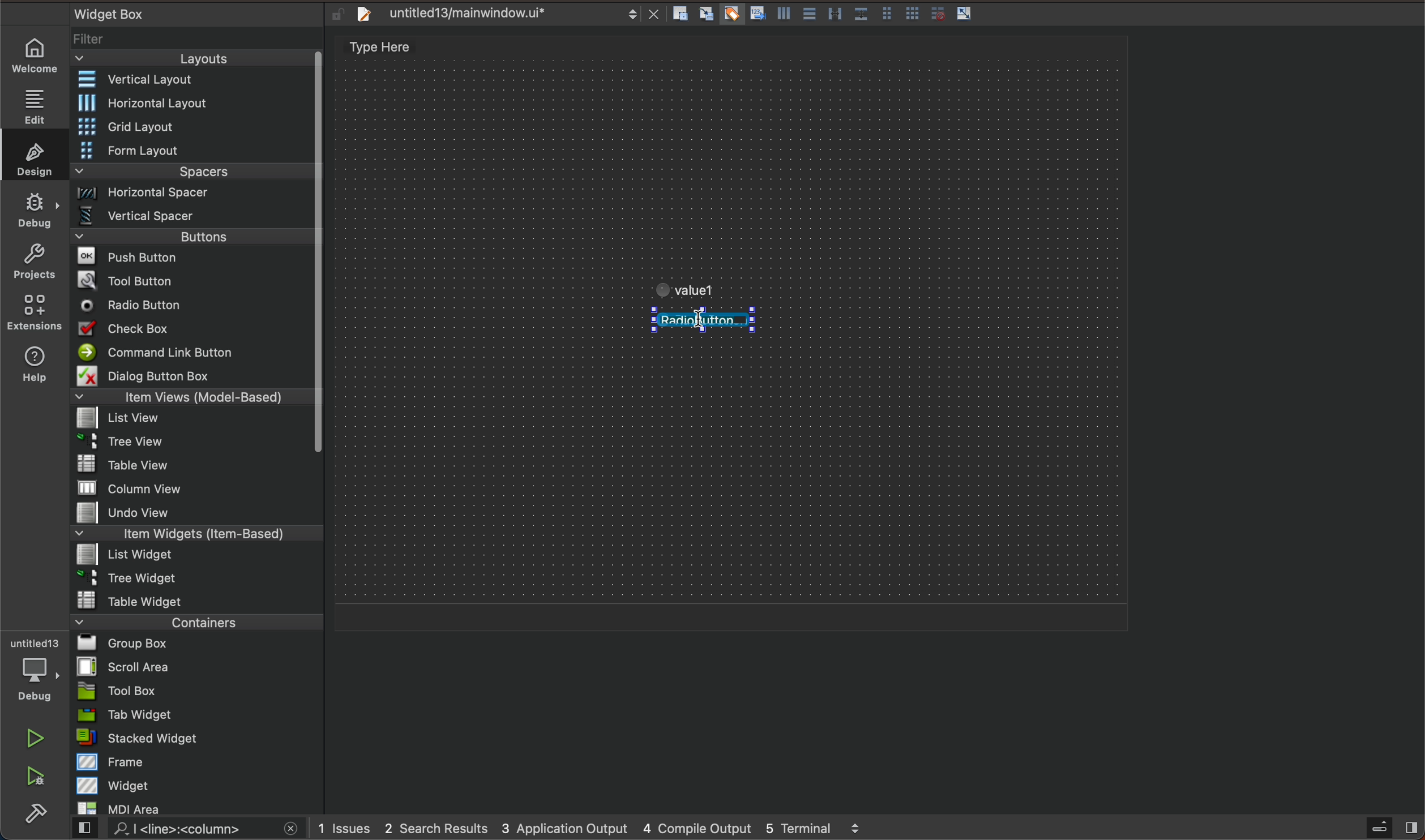  Describe the element at coordinates (193, 556) in the screenshot. I see `` at that location.